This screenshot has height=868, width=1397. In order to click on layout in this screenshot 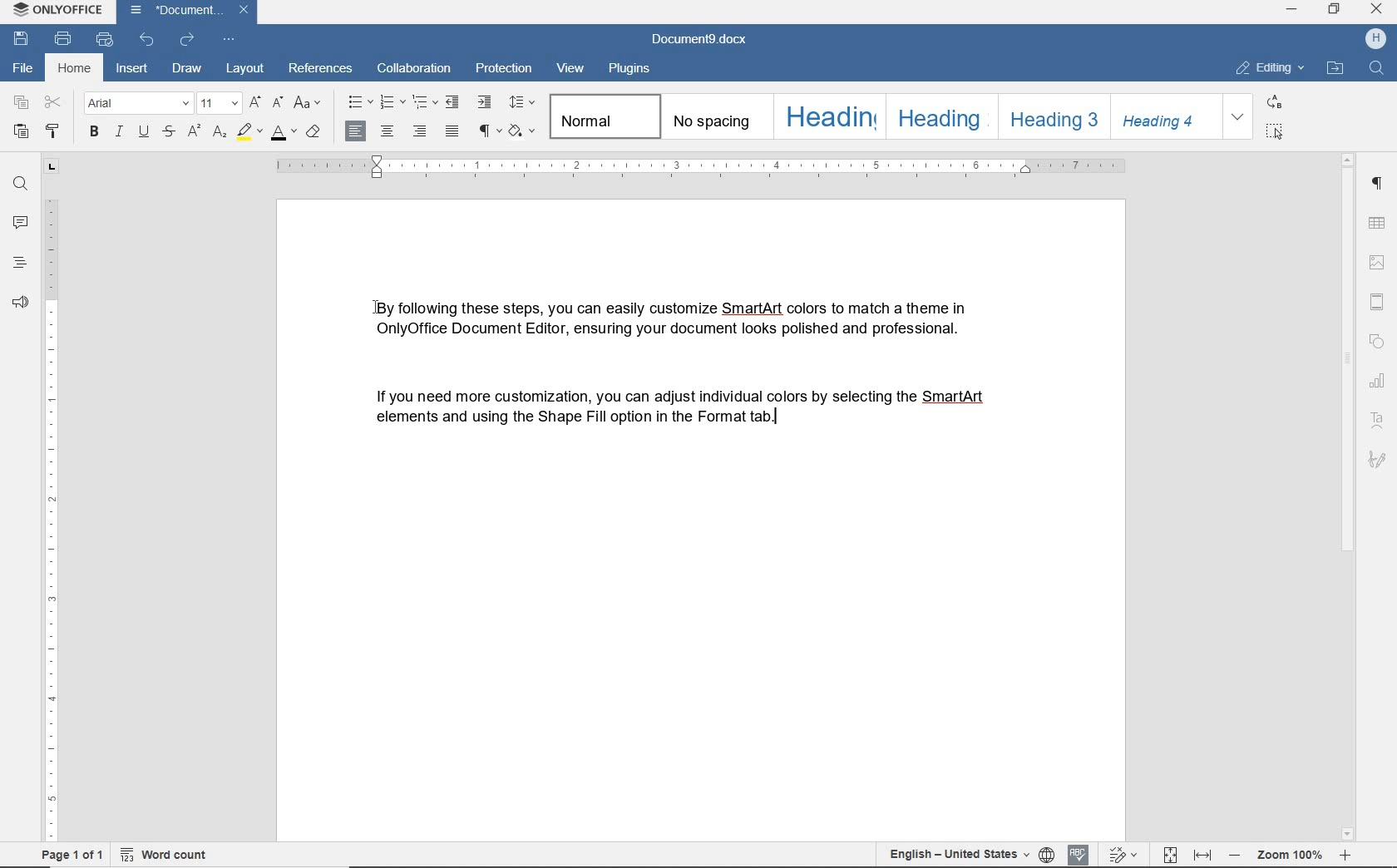, I will do `click(244, 67)`.